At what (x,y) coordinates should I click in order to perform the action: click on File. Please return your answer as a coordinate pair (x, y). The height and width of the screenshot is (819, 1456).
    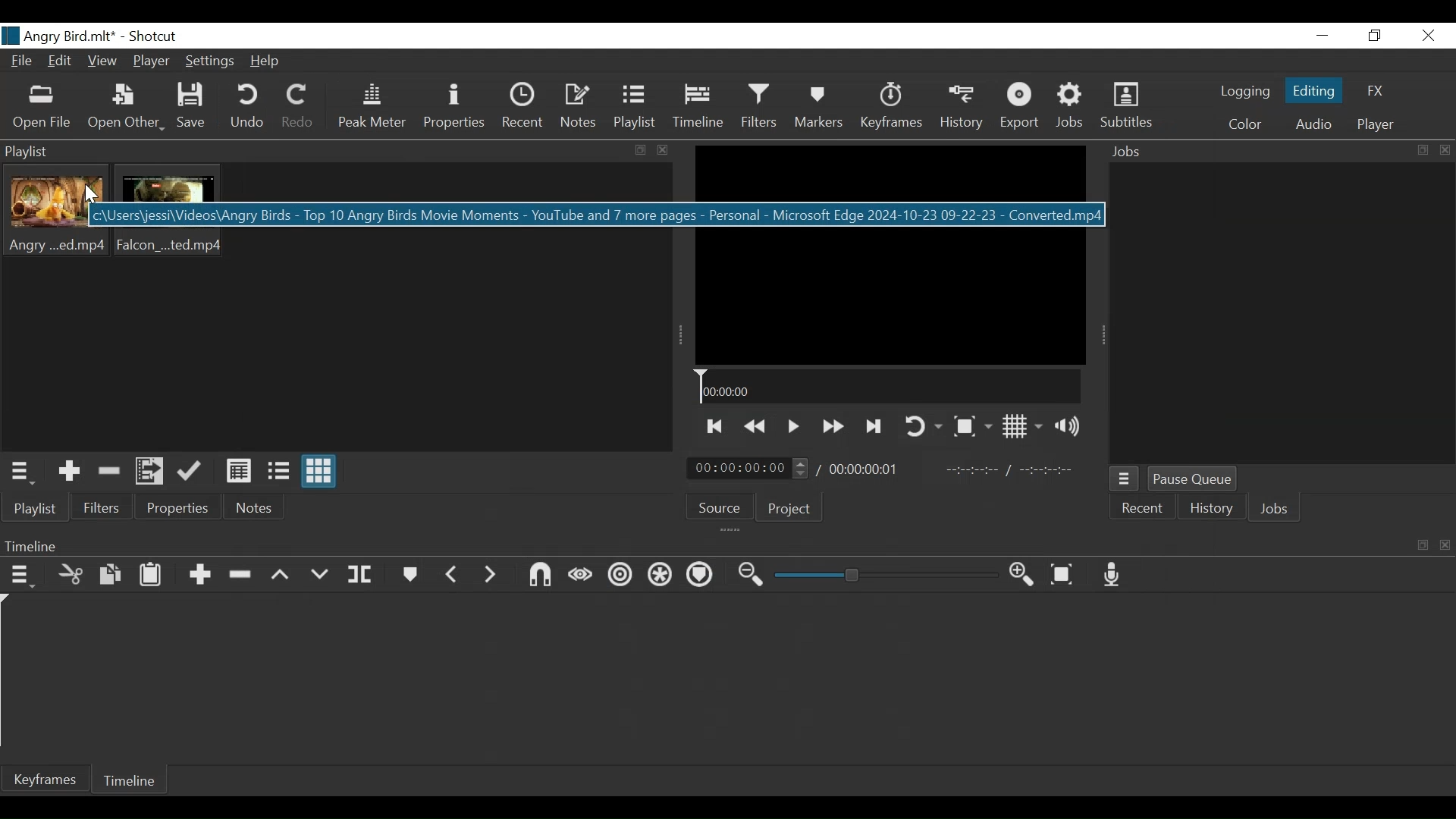
    Looking at the image, I should click on (24, 61).